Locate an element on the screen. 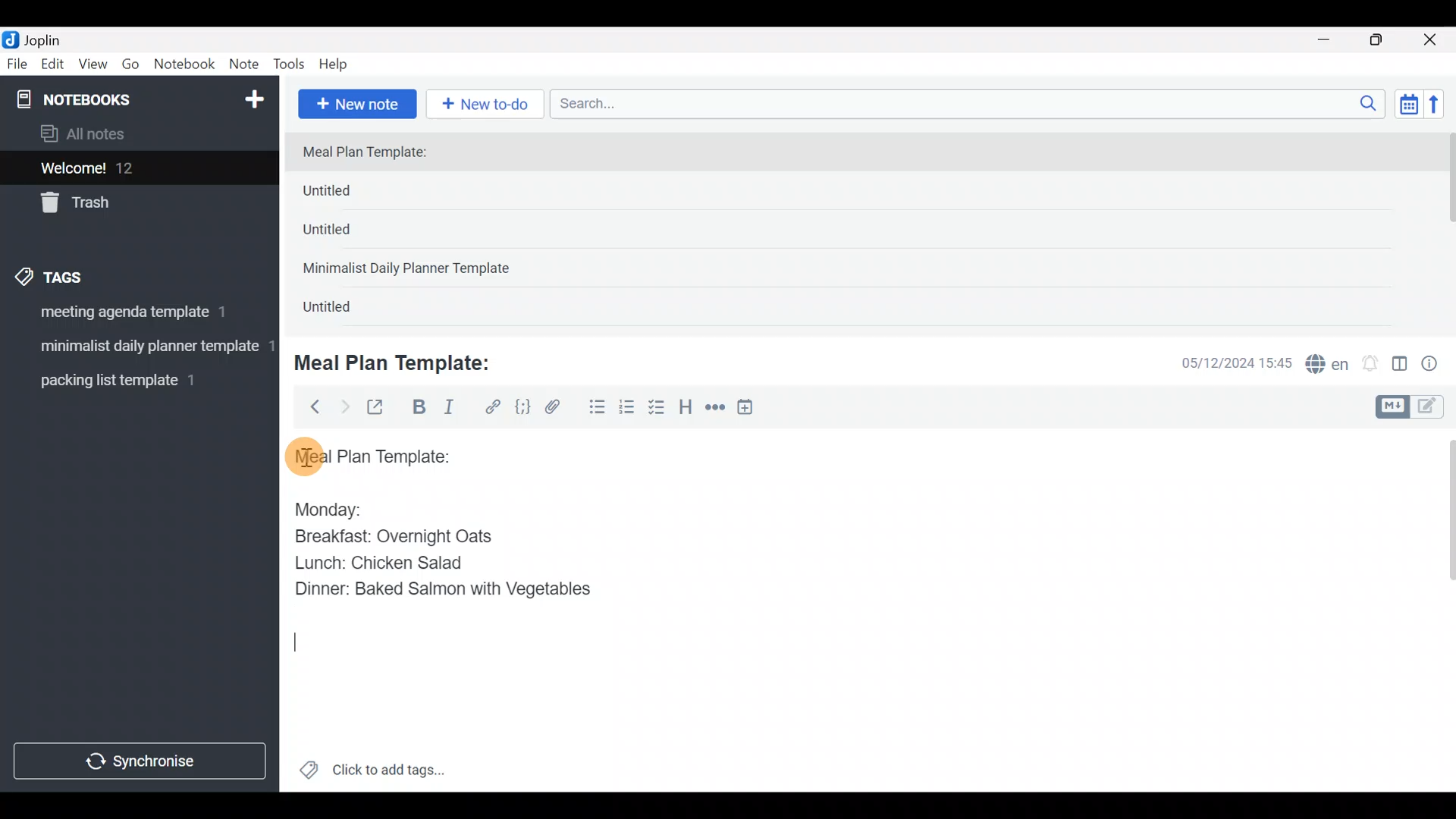 This screenshot has width=1456, height=819. Date & time is located at coordinates (1225, 362).